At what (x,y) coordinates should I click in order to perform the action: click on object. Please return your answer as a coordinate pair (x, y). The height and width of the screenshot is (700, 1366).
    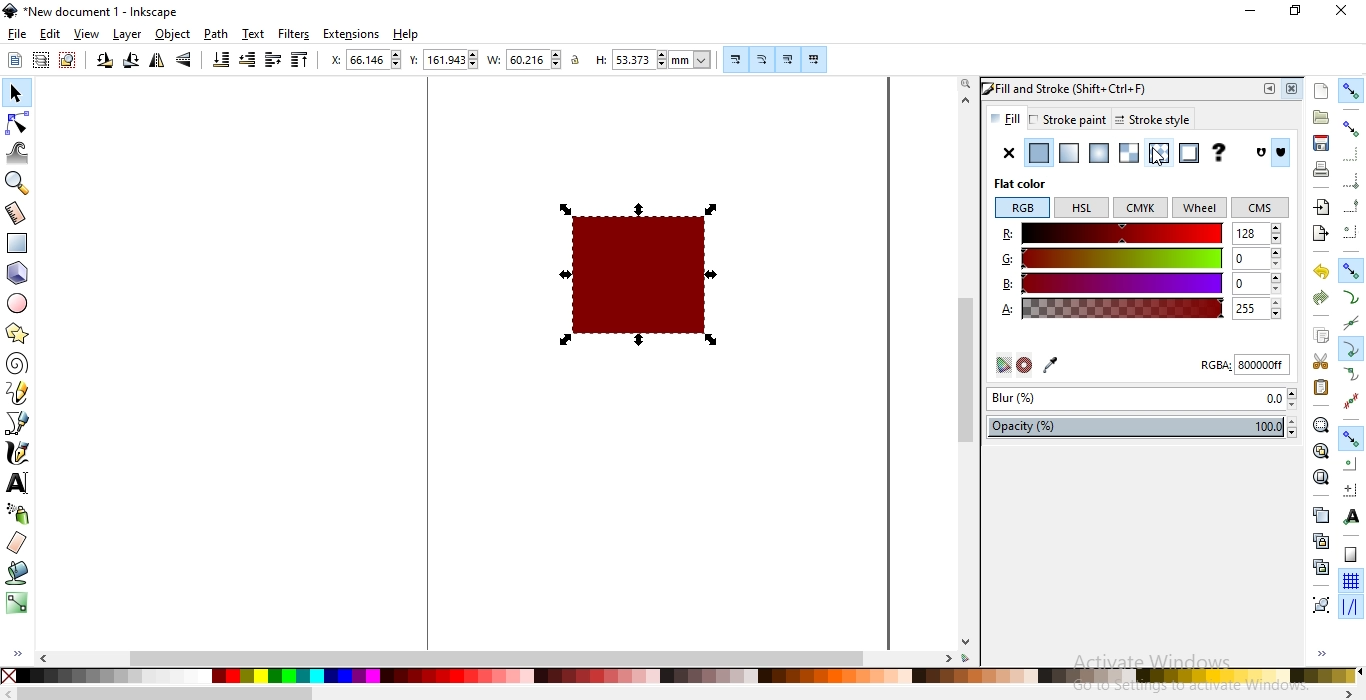
    Looking at the image, I should click on (174, 35).